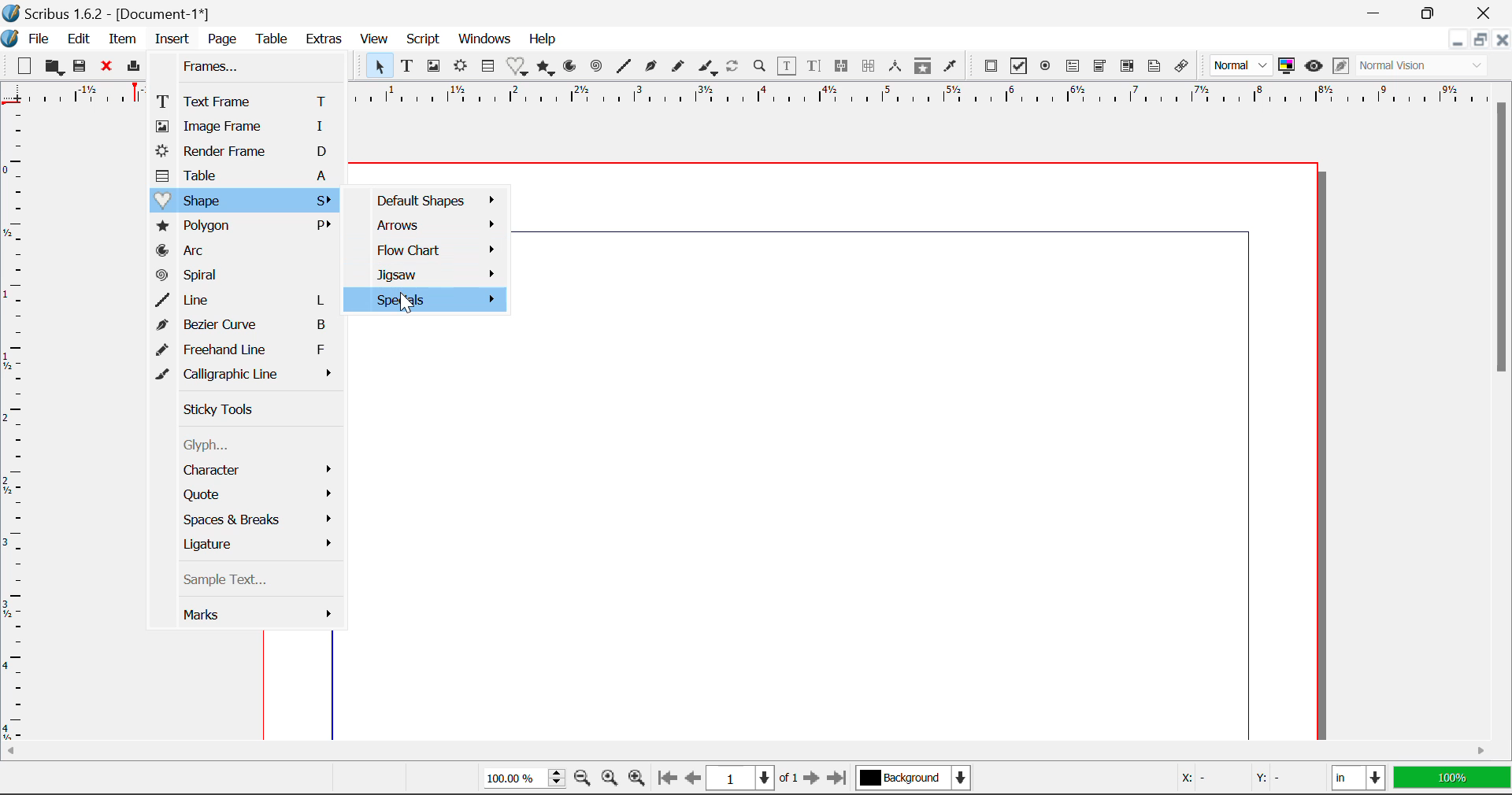 Image resolution: width=1512 pixels, height=795 pixels. Describe the element at coordinates (1153, 67) in the screenshot. I see `Text Annotation` at that location.